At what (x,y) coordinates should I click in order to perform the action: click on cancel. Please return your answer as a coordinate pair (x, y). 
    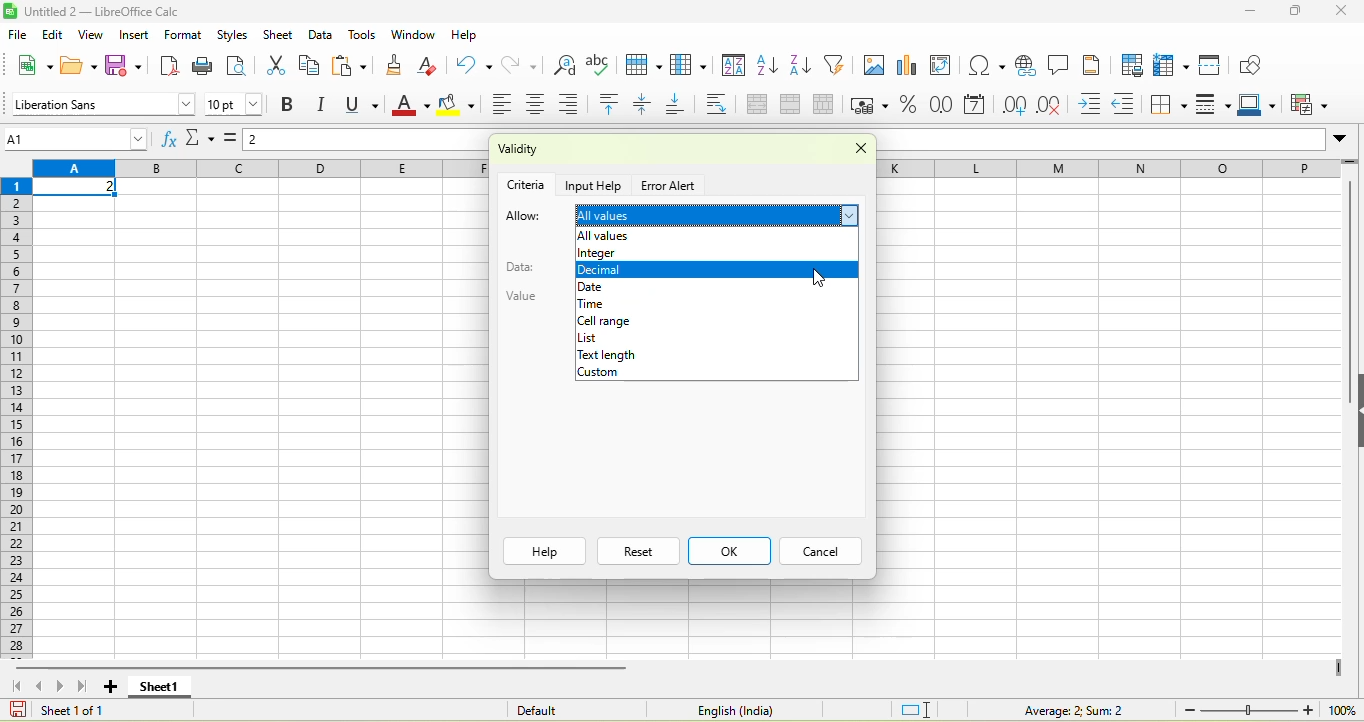
    Looking at the image, I should click on (818, 552).